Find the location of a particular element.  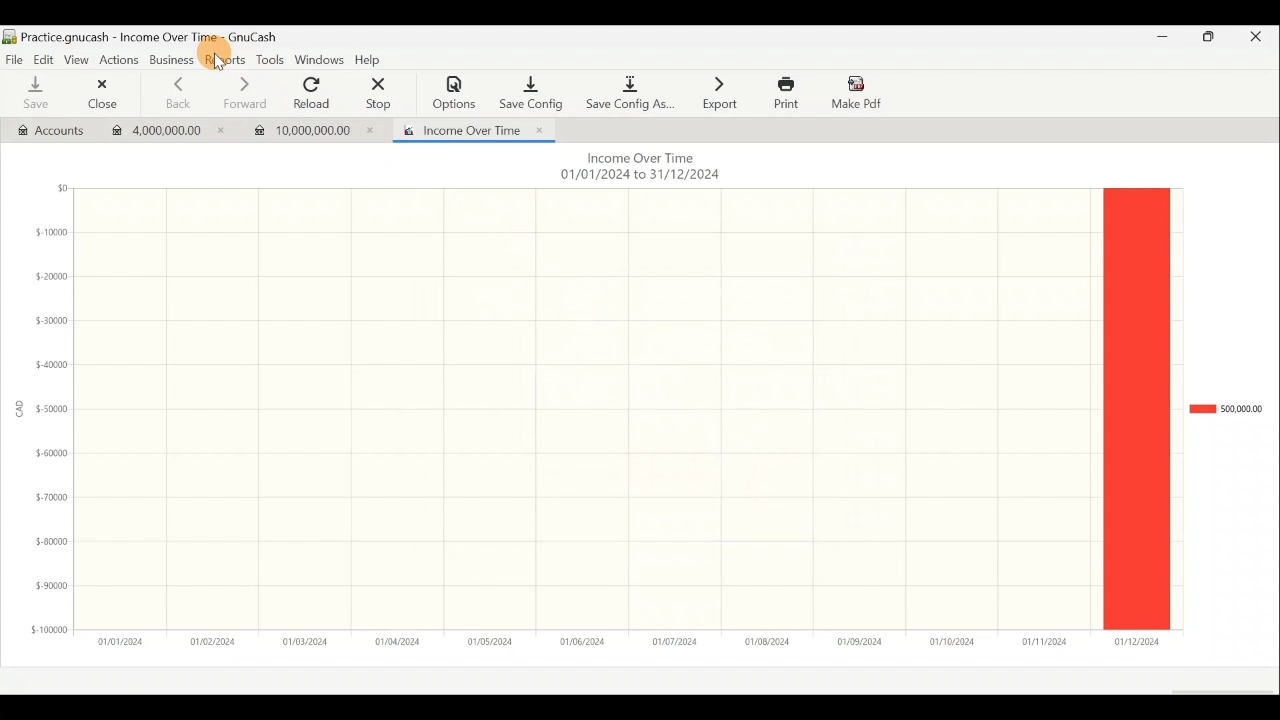

Accounts is located at coordinates (47, 129).